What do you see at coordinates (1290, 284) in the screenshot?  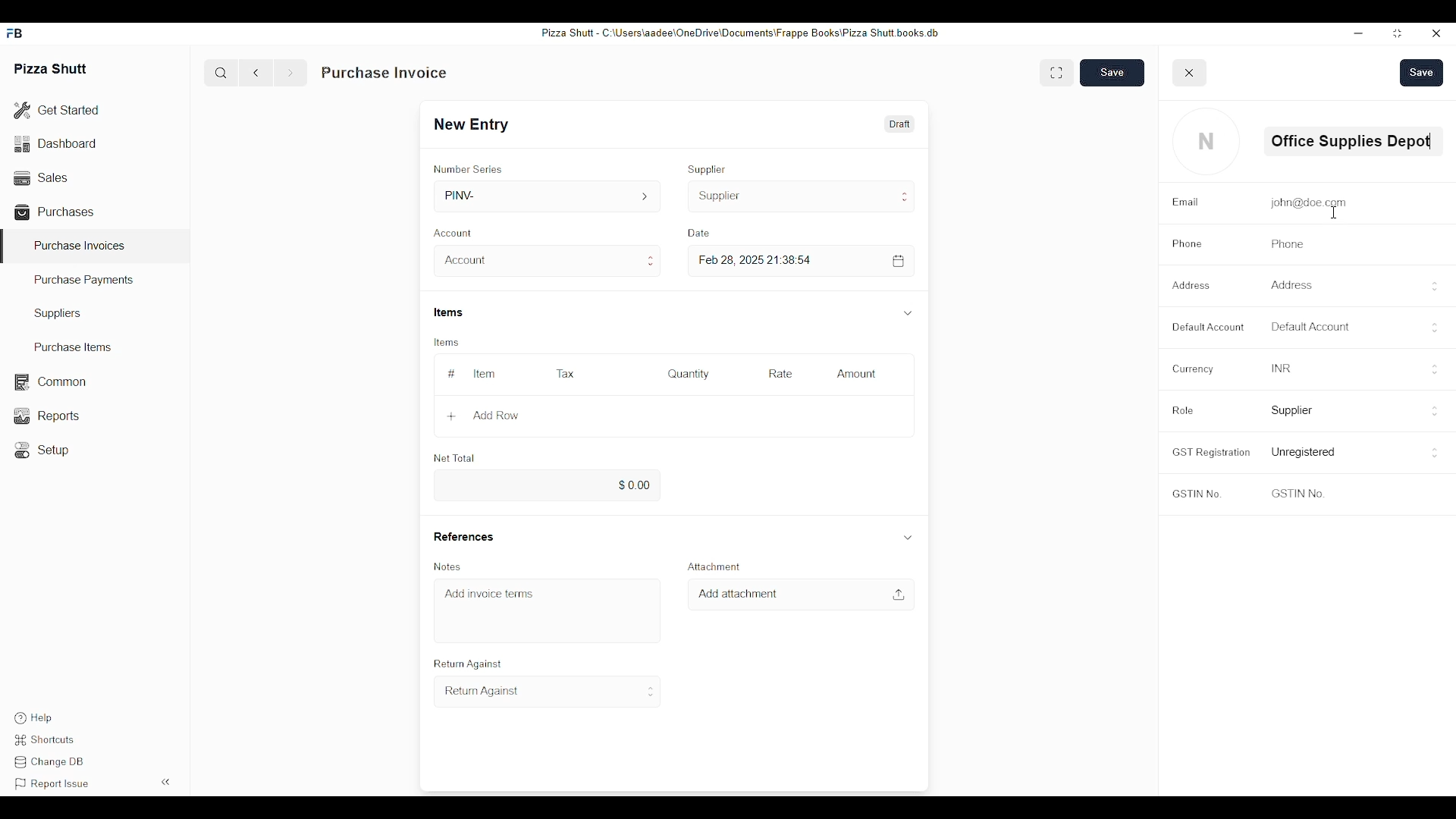 I see `Address` at bounding box center [1290, 284].